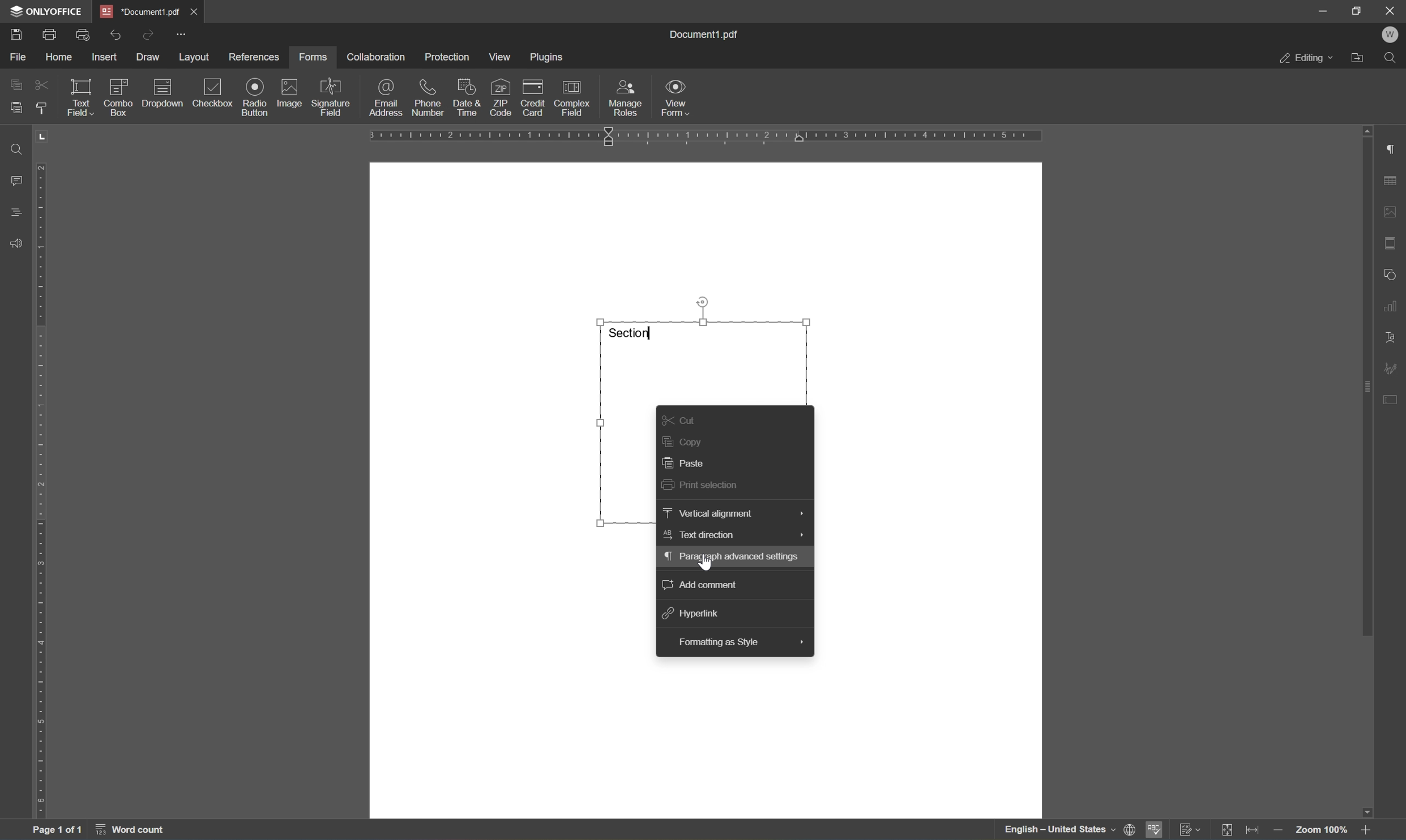 Image resolution: width=1406 pixels, height=840 pixels. Describe the element at coordinates (466, 96) in the screenshot. I see `date & time` at that location.